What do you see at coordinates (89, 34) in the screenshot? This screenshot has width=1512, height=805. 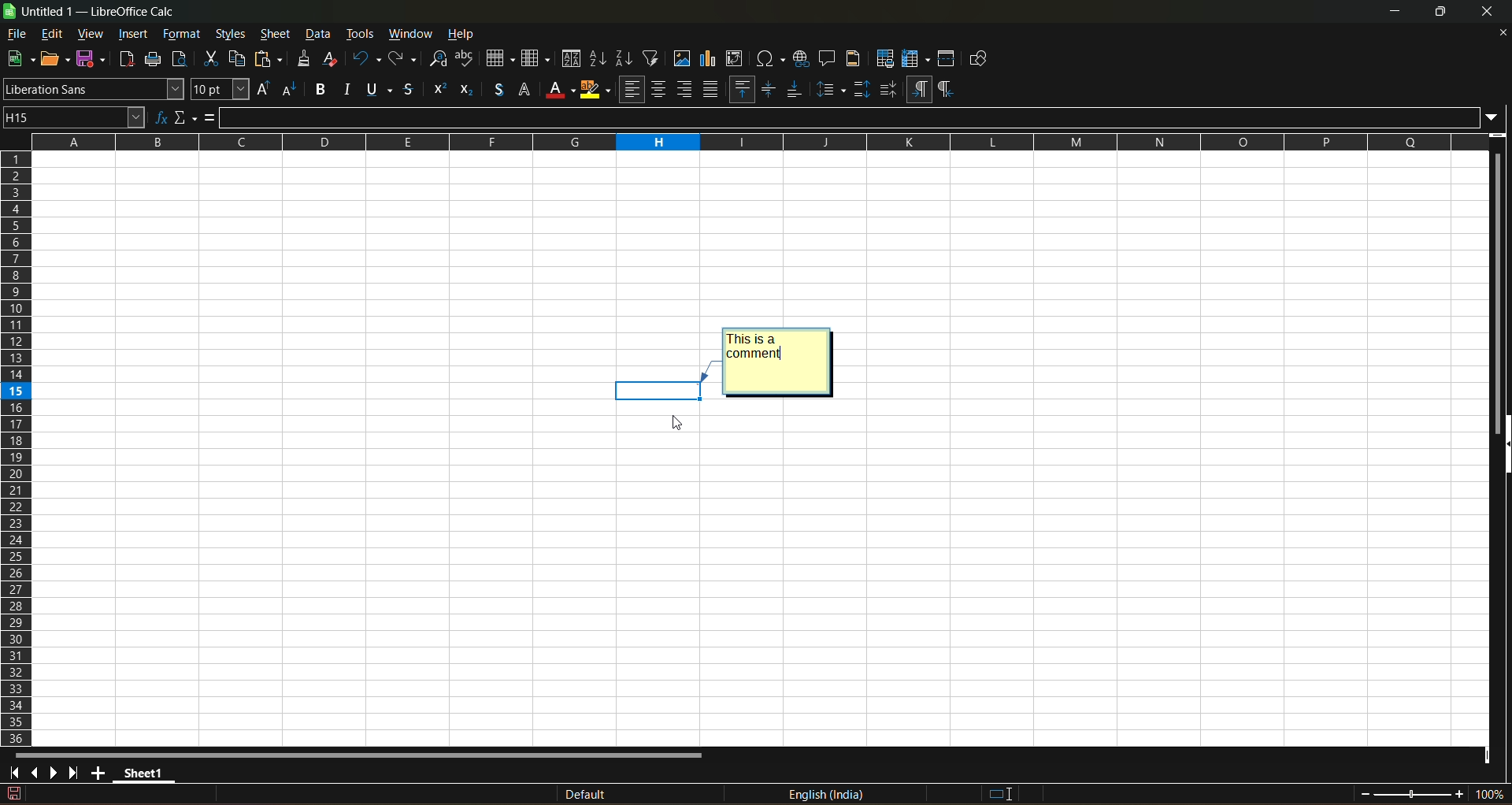 I see `view` at bounding box center [89, 34].